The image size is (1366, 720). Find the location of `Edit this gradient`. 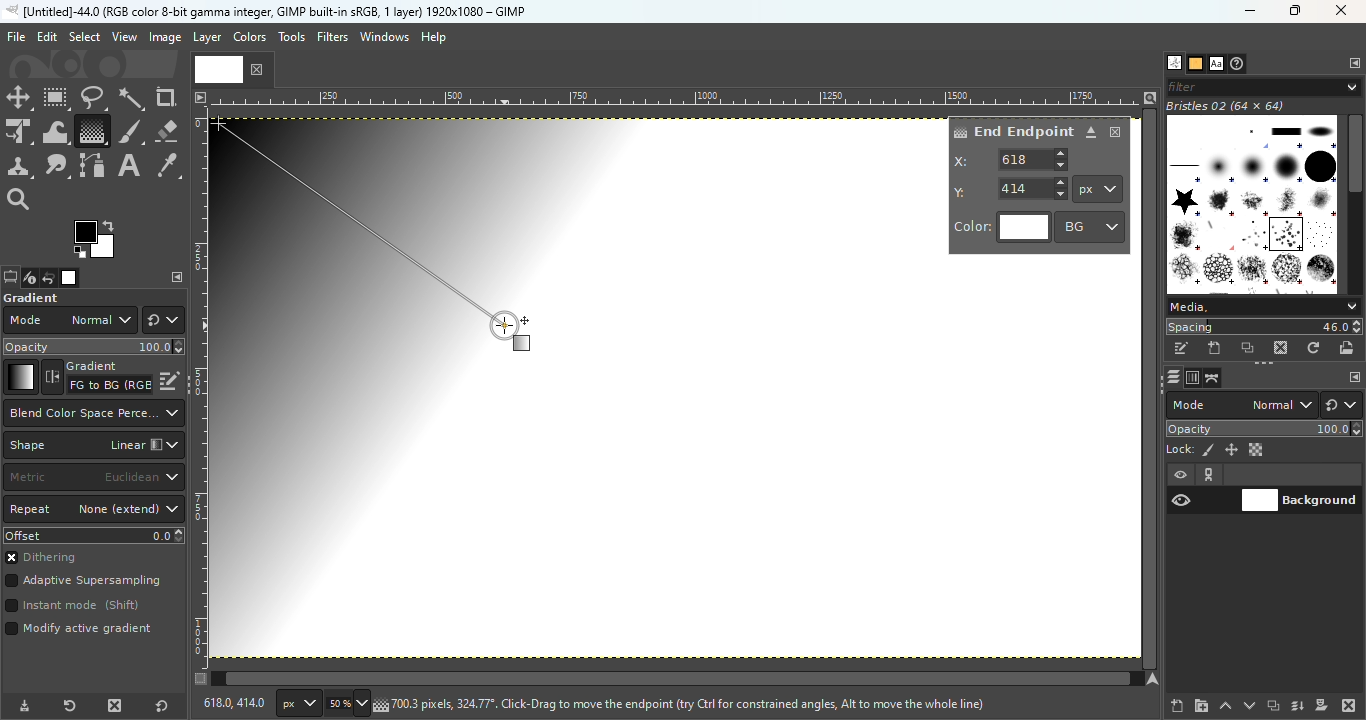

Edit this gradient is located at coordinates (170, 379).